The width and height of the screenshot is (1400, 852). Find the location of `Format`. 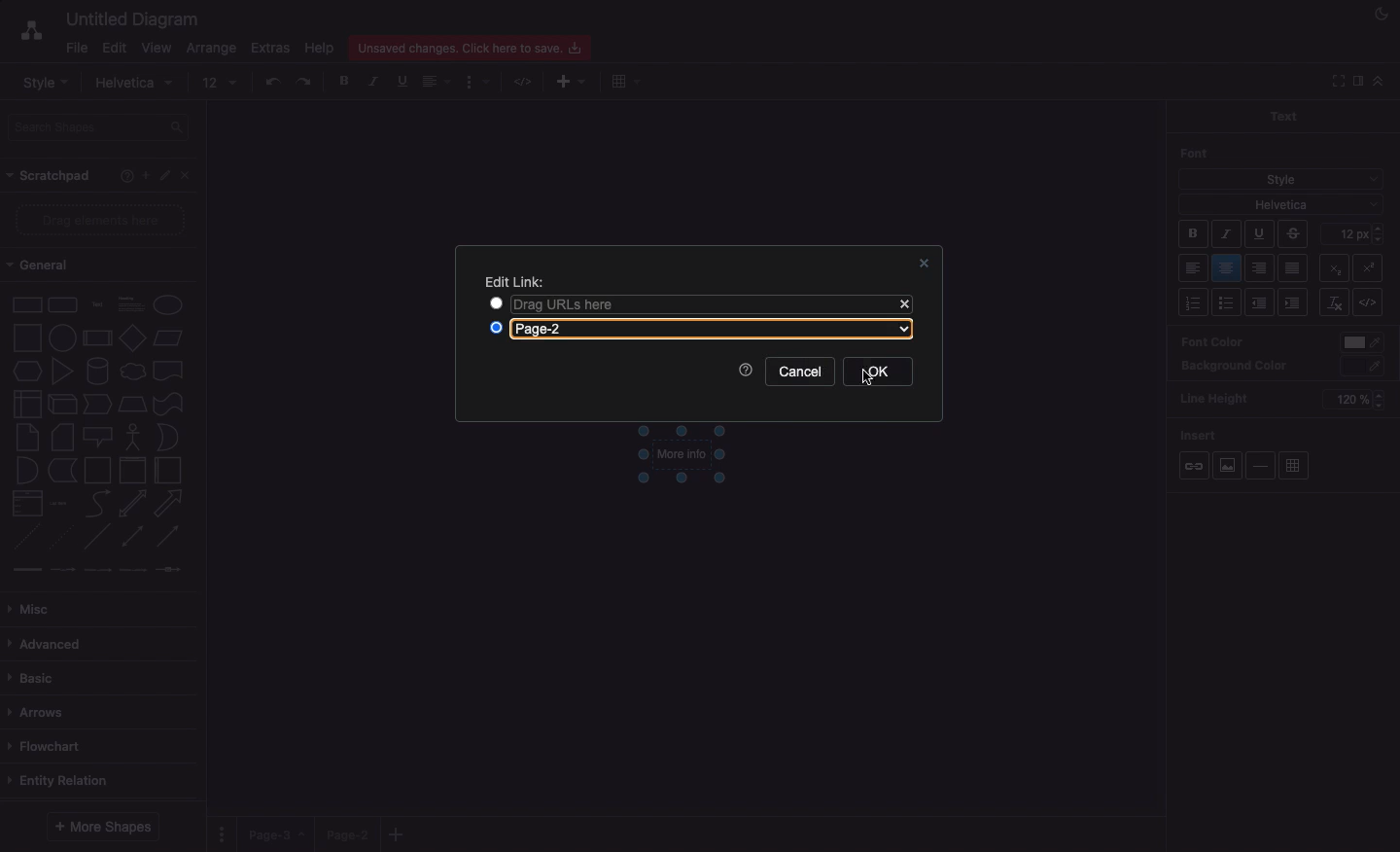

Format is located at coordinates (477, 83).